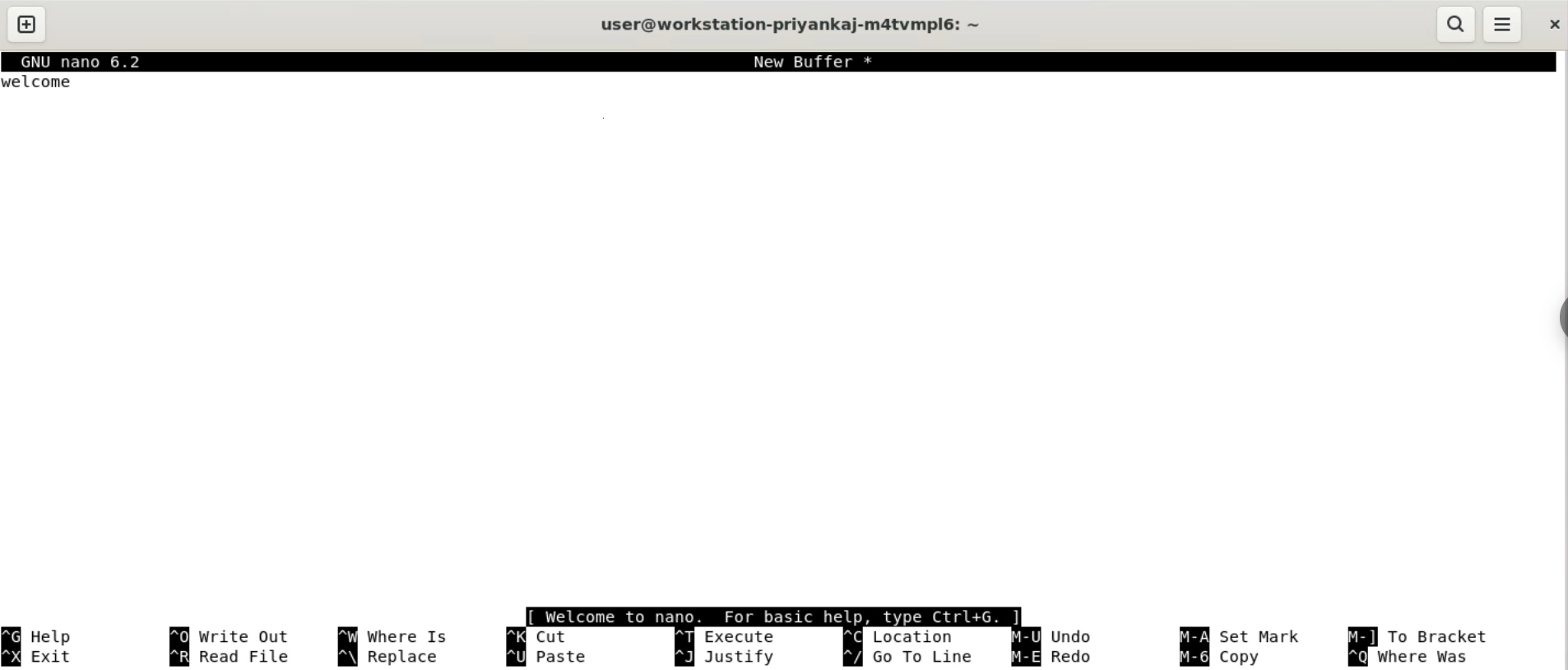 This screenshot has height=670, width=1568. What do you see at coordinates (233, 636) in the screenshot?
I see `write out` at bounding box center [233, 636].